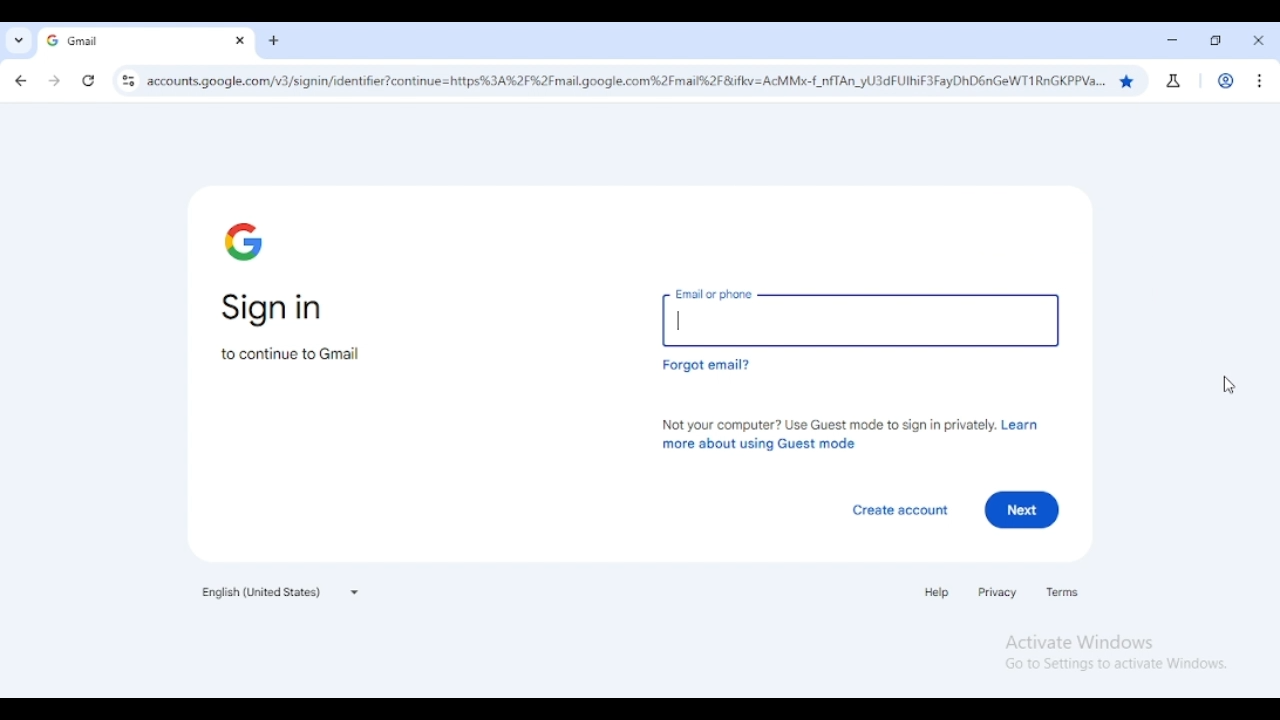 The image size is (1280, 720). Describe the element at coordinates (240, 40) in the screenshot. I see `close tab` at that location.